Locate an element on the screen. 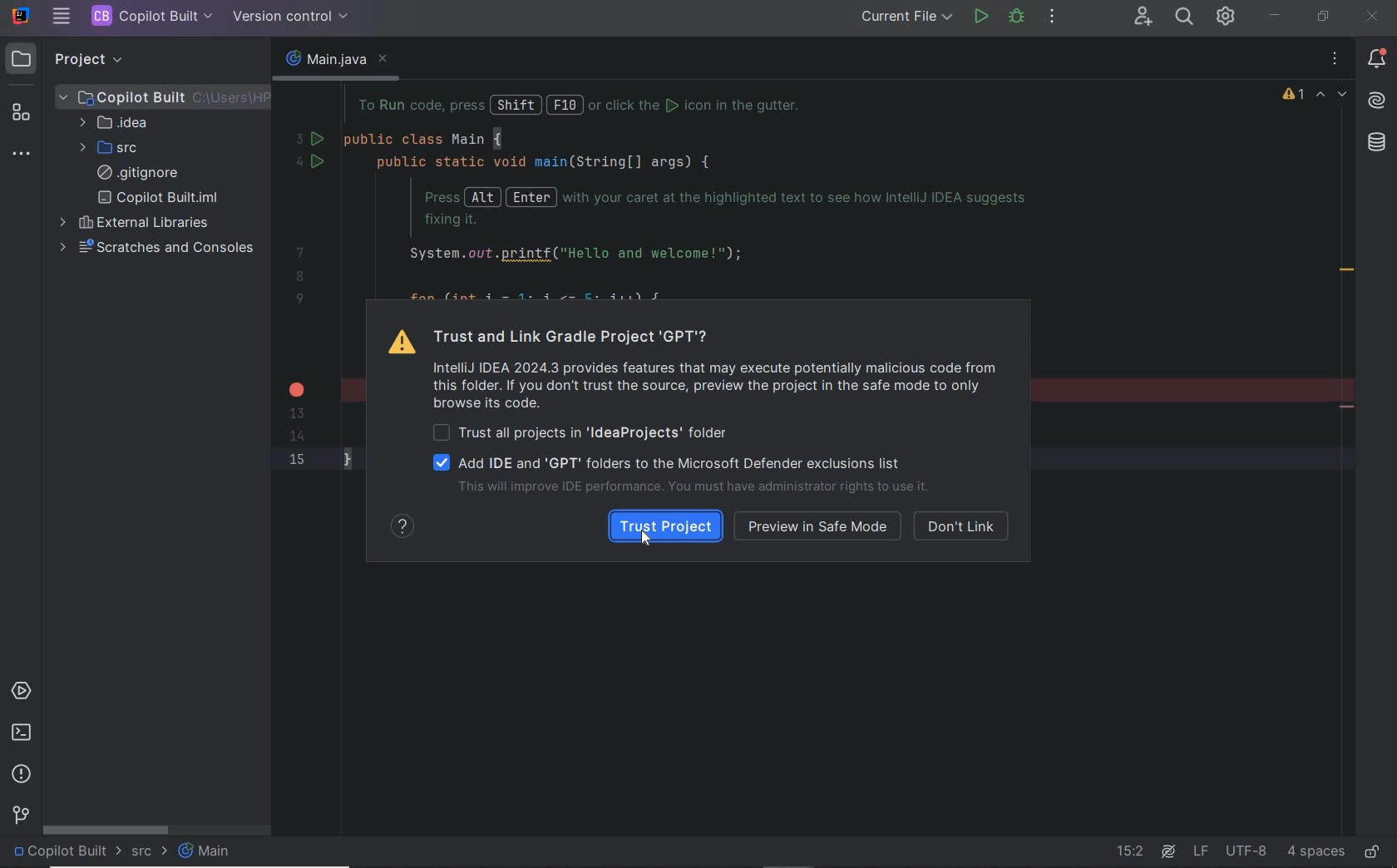 The width and height of the screenshot is (1397, 868). Trust and Link Gradle Project is located at coordinates (699, 367).